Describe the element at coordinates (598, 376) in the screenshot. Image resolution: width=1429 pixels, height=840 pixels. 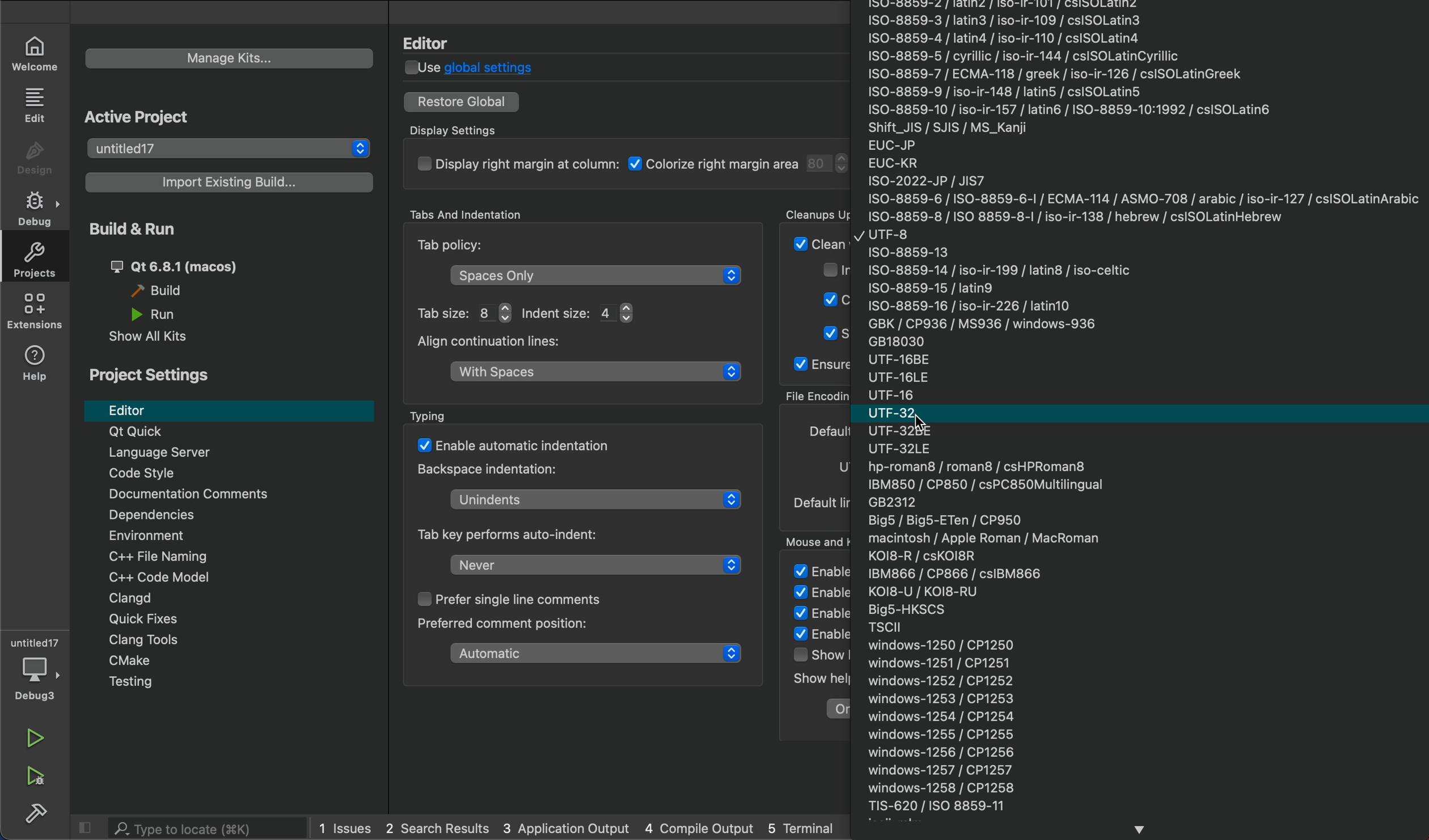
I see `align` at that location.